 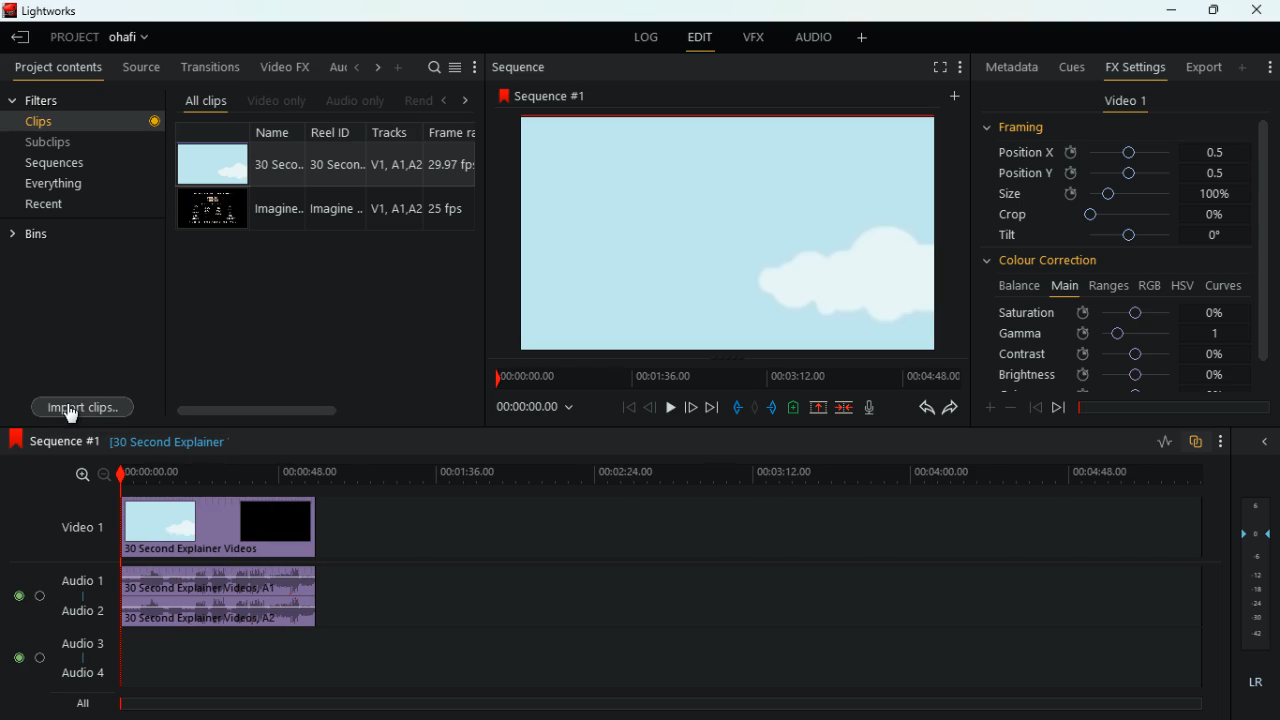 I want to click on subclips, so click(x=78, y=140).